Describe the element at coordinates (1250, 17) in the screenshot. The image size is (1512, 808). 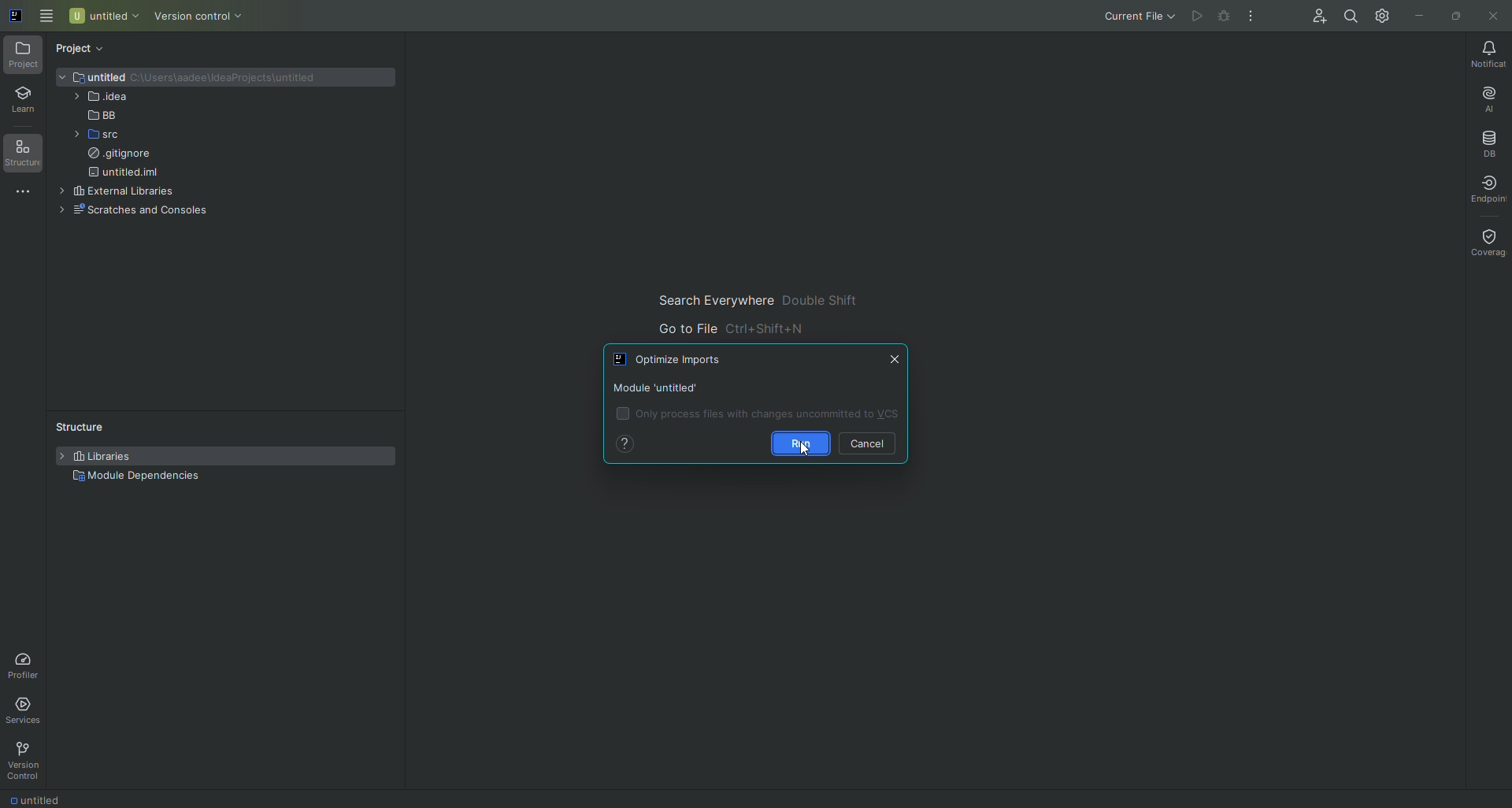
I see `More Actions` at that location.